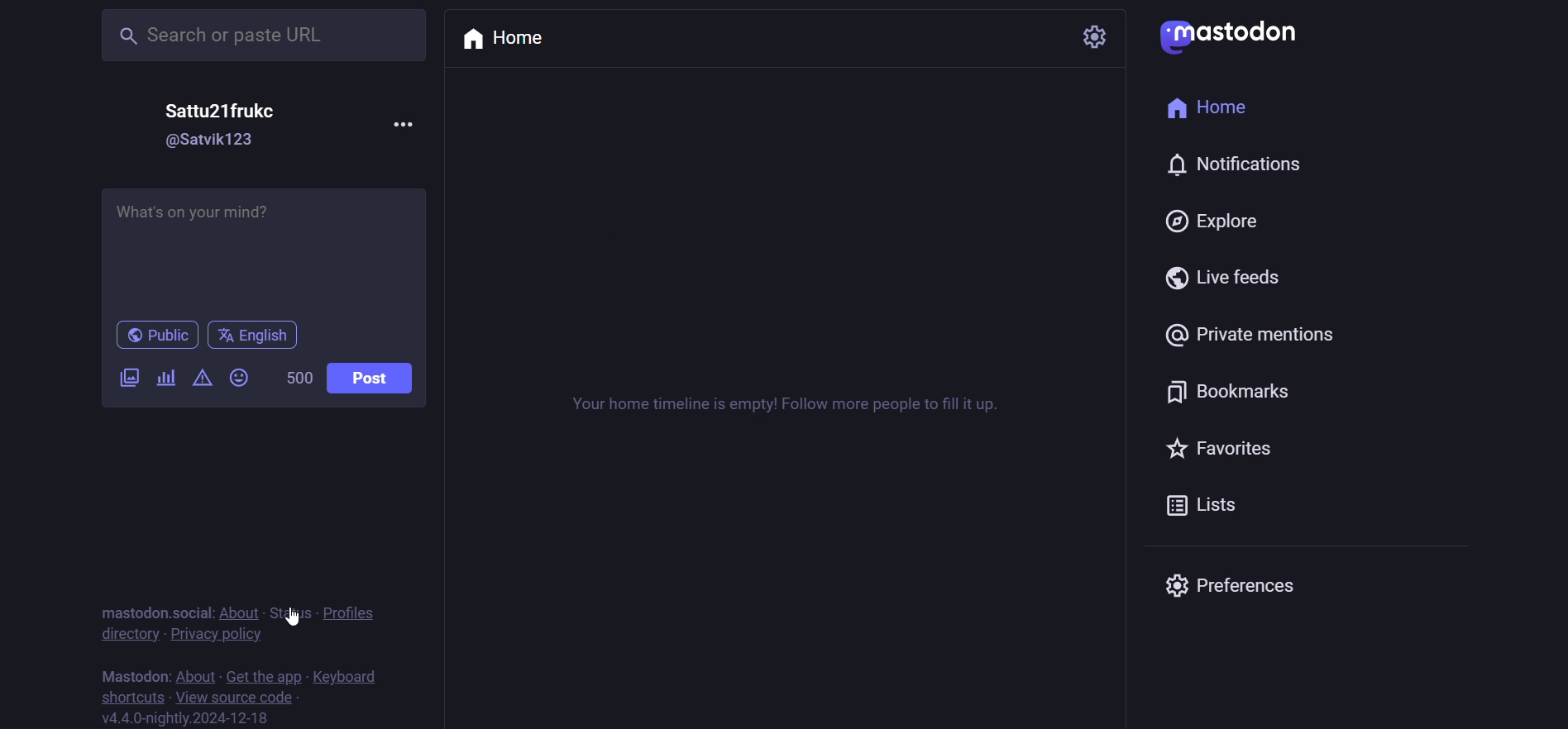 This screenshot has width=1568, height=729. Describe the element at coordinates (154, 607) in the screenshot. I see `mastodon social` at that location.